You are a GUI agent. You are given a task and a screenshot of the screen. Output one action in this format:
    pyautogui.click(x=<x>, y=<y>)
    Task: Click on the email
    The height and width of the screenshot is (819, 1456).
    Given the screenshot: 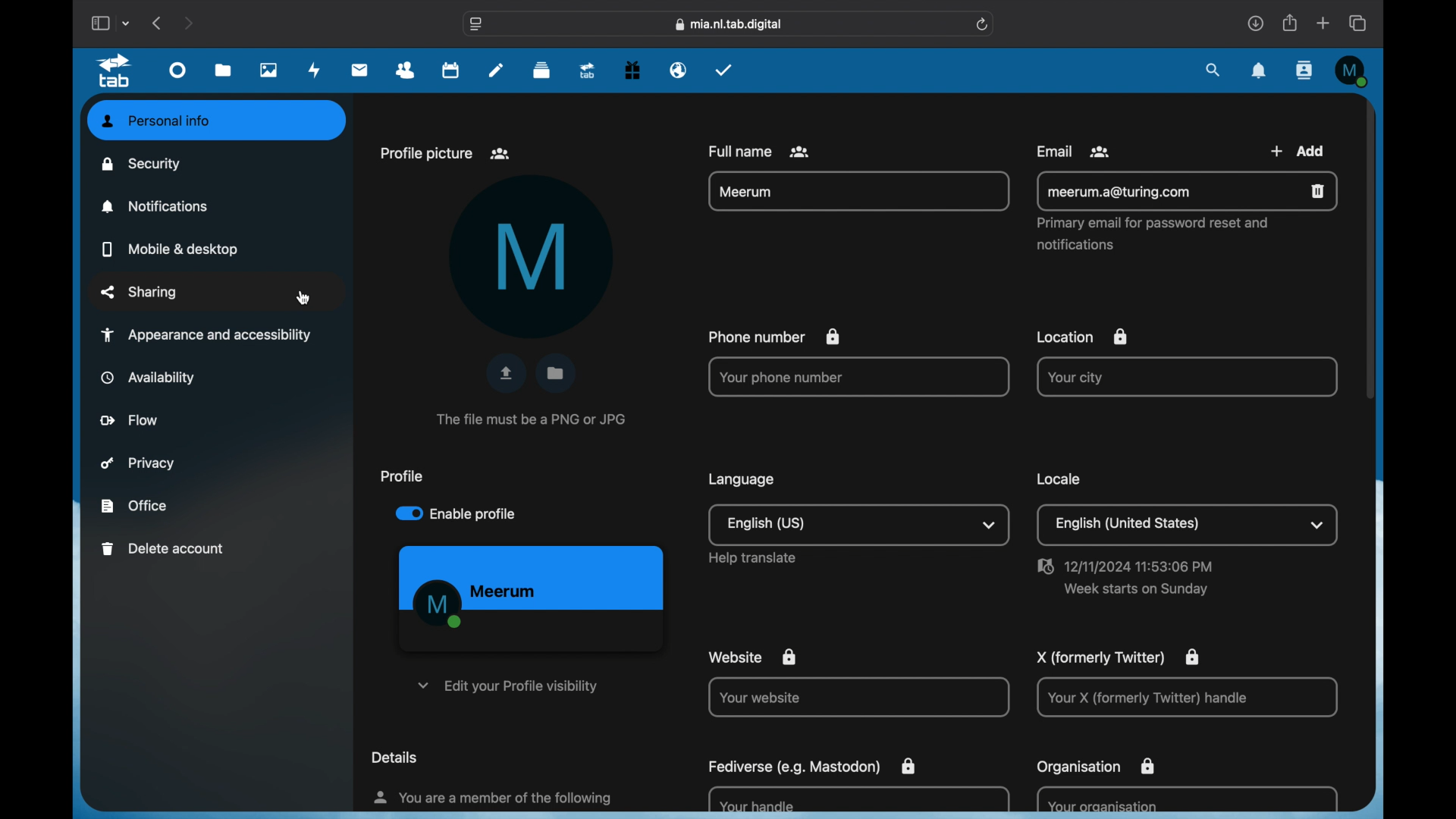 What is the action you would take?
    pyautogui.click(x=679, y=71)
    